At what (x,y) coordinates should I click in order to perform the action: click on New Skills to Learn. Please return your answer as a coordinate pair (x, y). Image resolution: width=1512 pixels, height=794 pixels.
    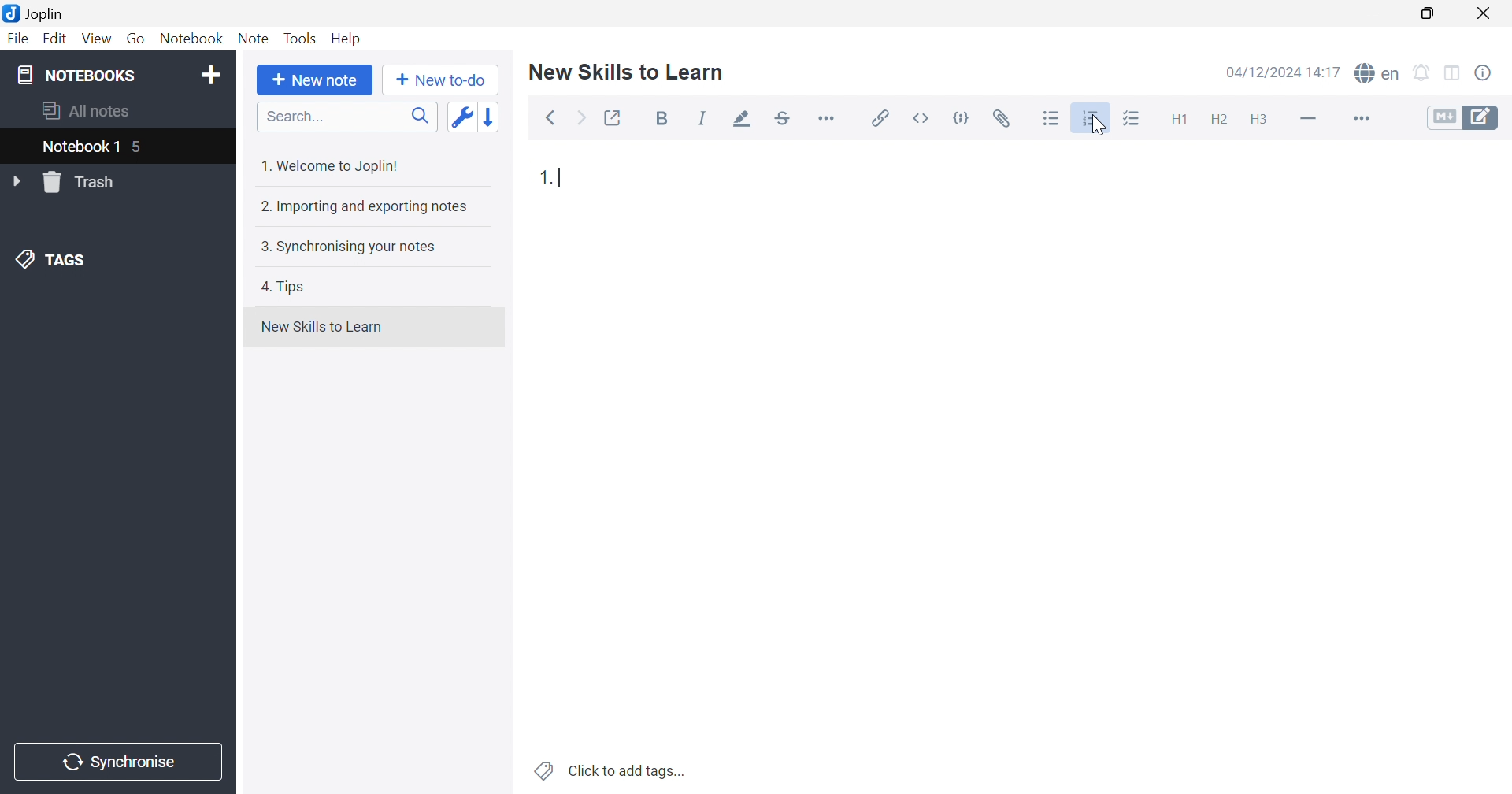
    Looking at the image, I should click on (627, 71).